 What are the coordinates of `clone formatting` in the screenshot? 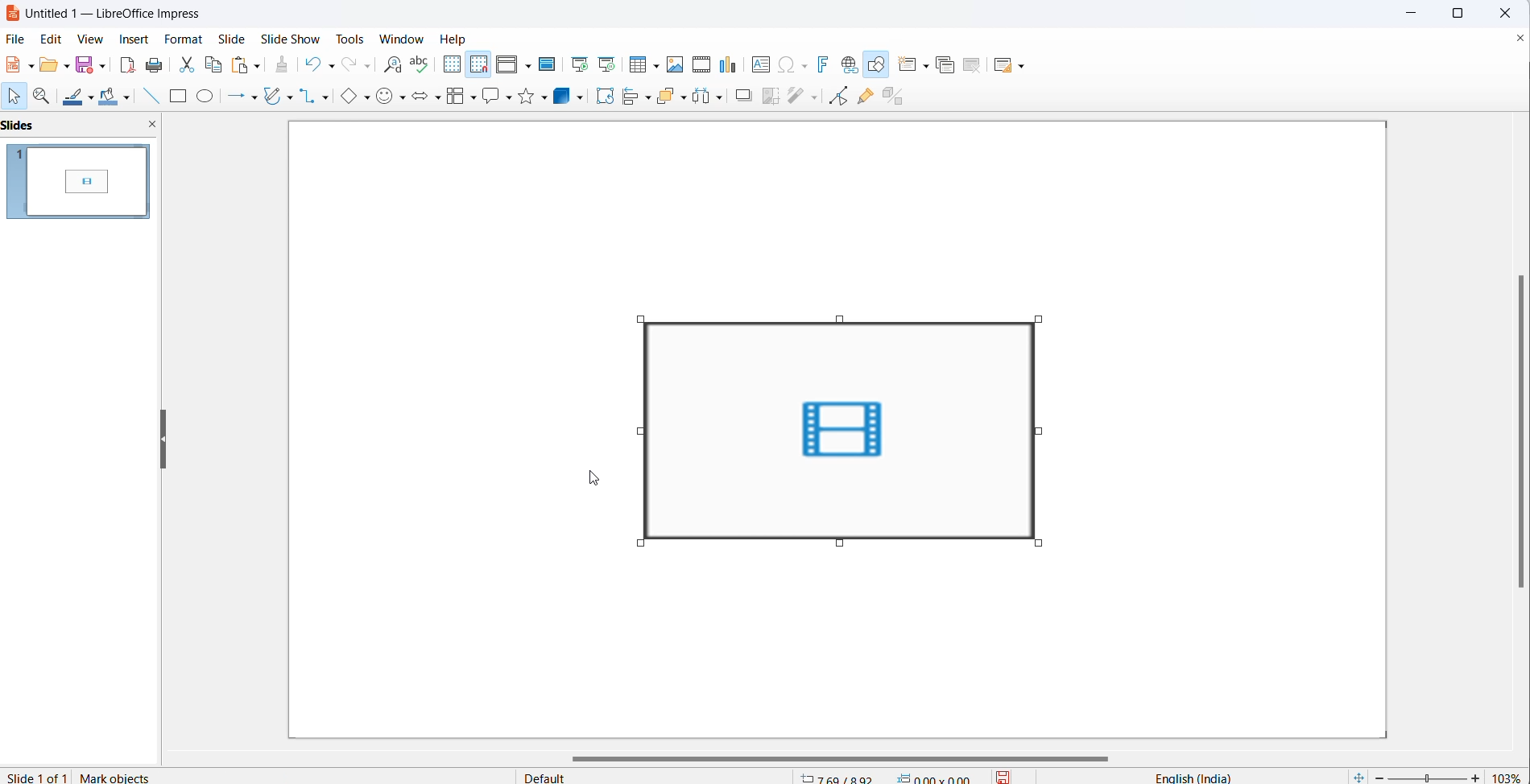 It's located at (284, 65).